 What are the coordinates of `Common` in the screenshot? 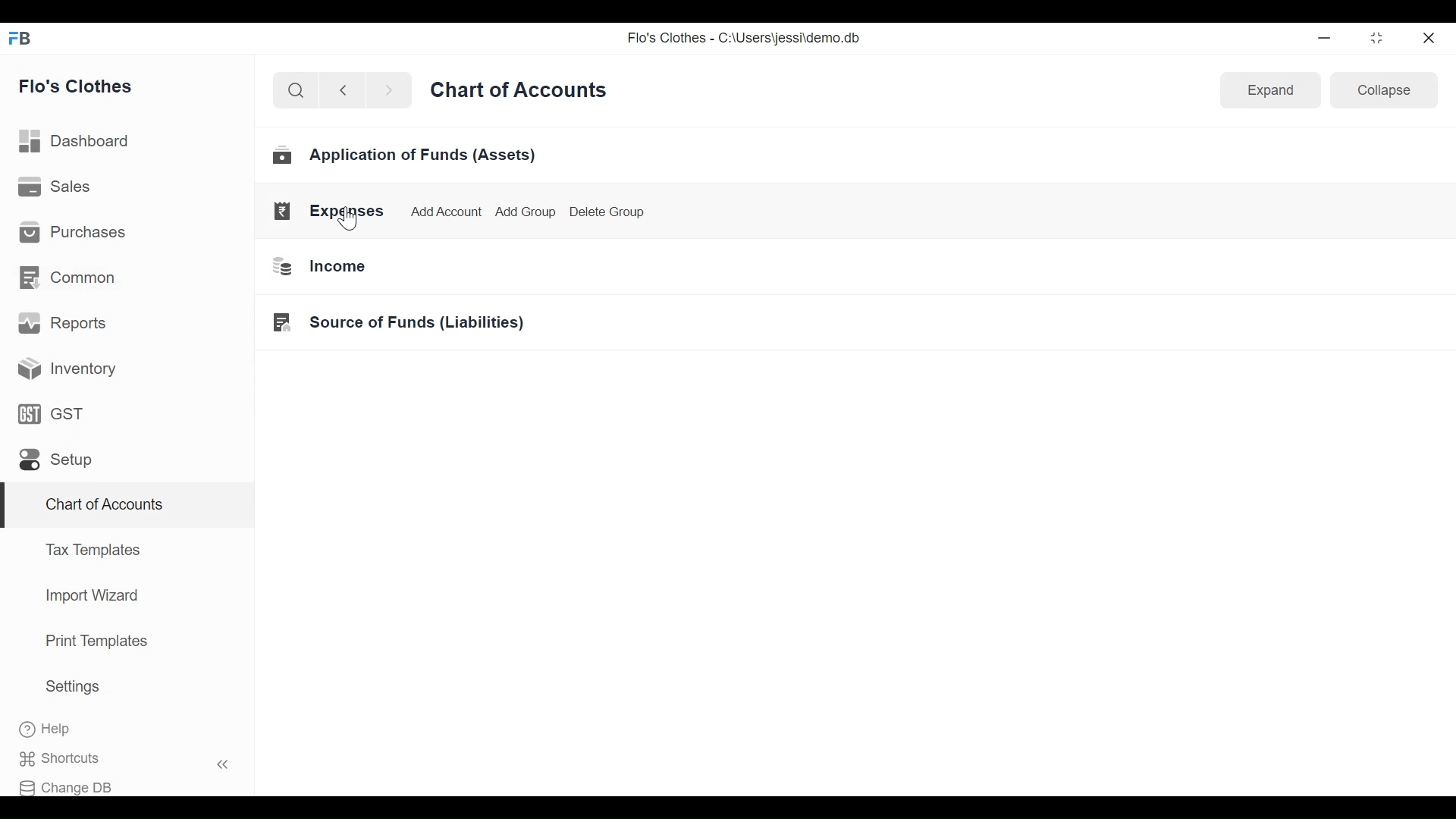 It's located at (69, 276).